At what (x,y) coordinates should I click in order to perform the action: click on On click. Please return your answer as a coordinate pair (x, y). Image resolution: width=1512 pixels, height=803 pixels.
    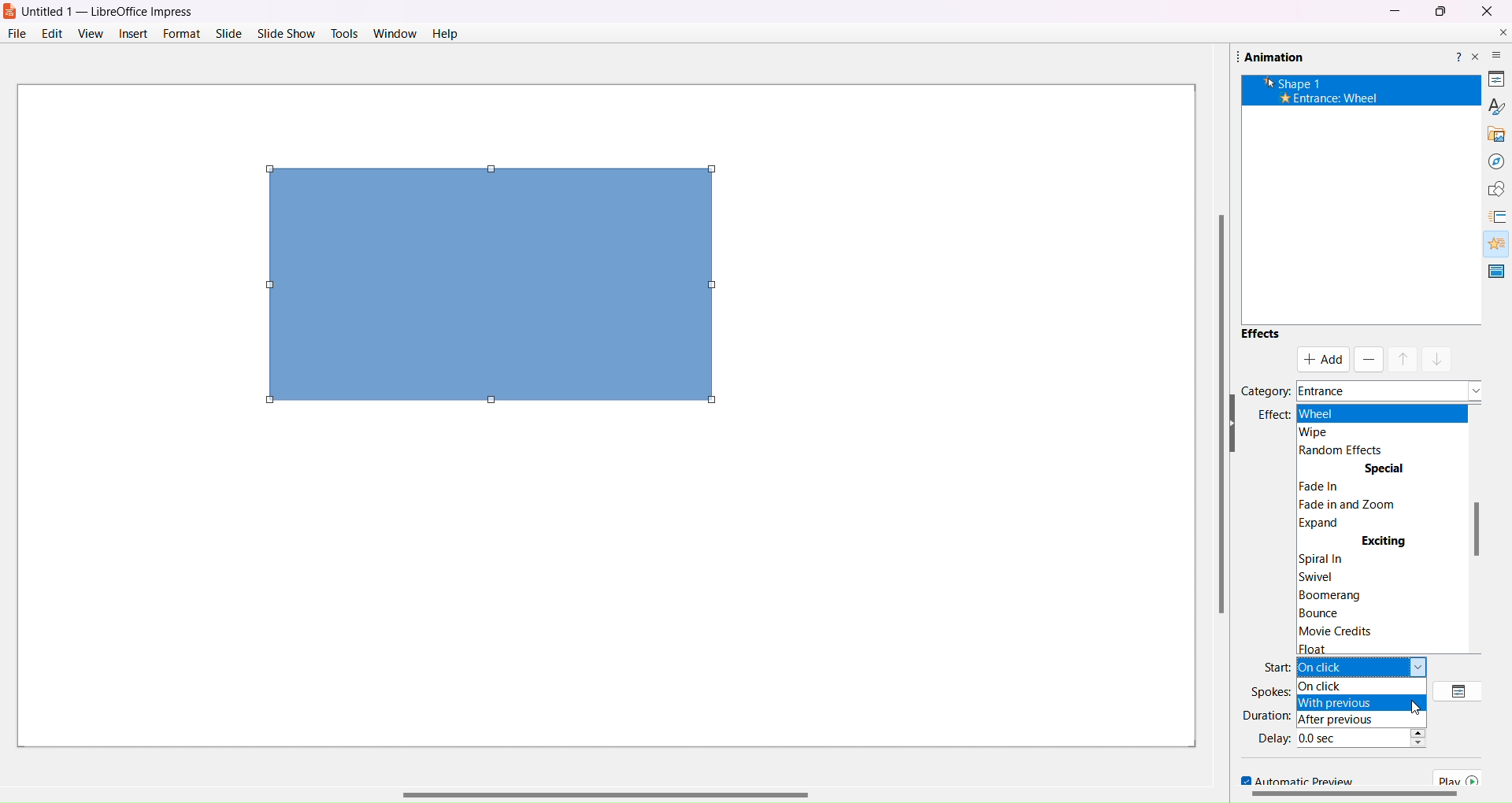
    Looking at the image, I should click on (1362, 687).